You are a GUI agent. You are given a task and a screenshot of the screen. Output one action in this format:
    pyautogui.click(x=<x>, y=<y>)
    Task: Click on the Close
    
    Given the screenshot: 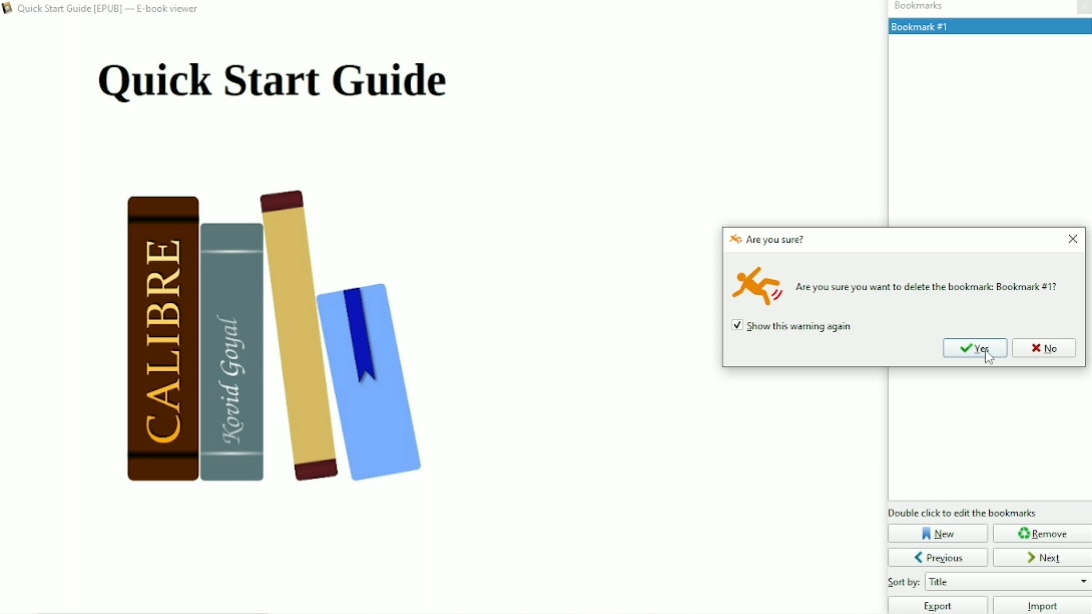 What is the action you would take?
    pyautogui.click(x=1074, y=239)
    